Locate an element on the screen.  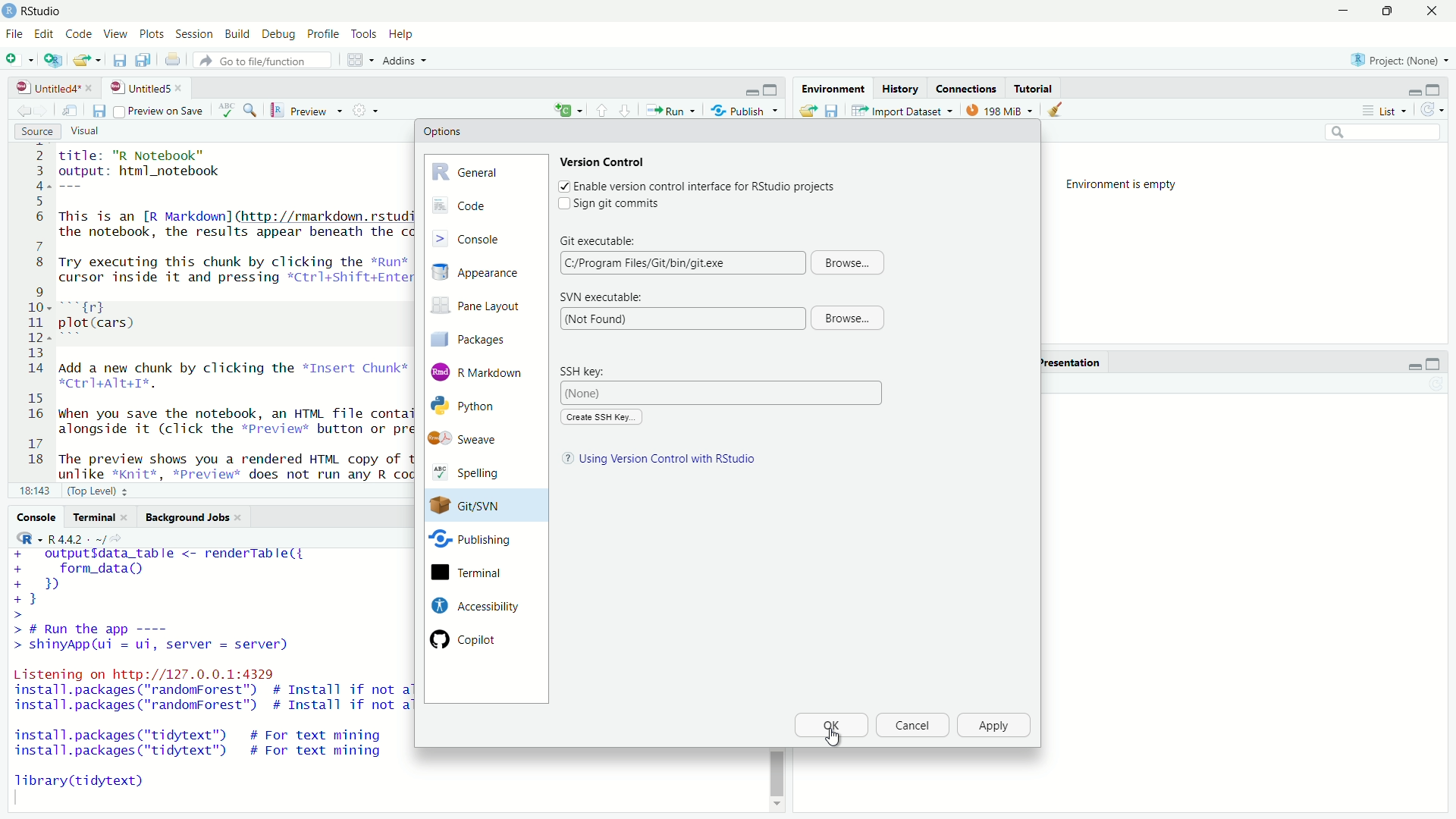
Spelling is located at coordinates (475, 474).